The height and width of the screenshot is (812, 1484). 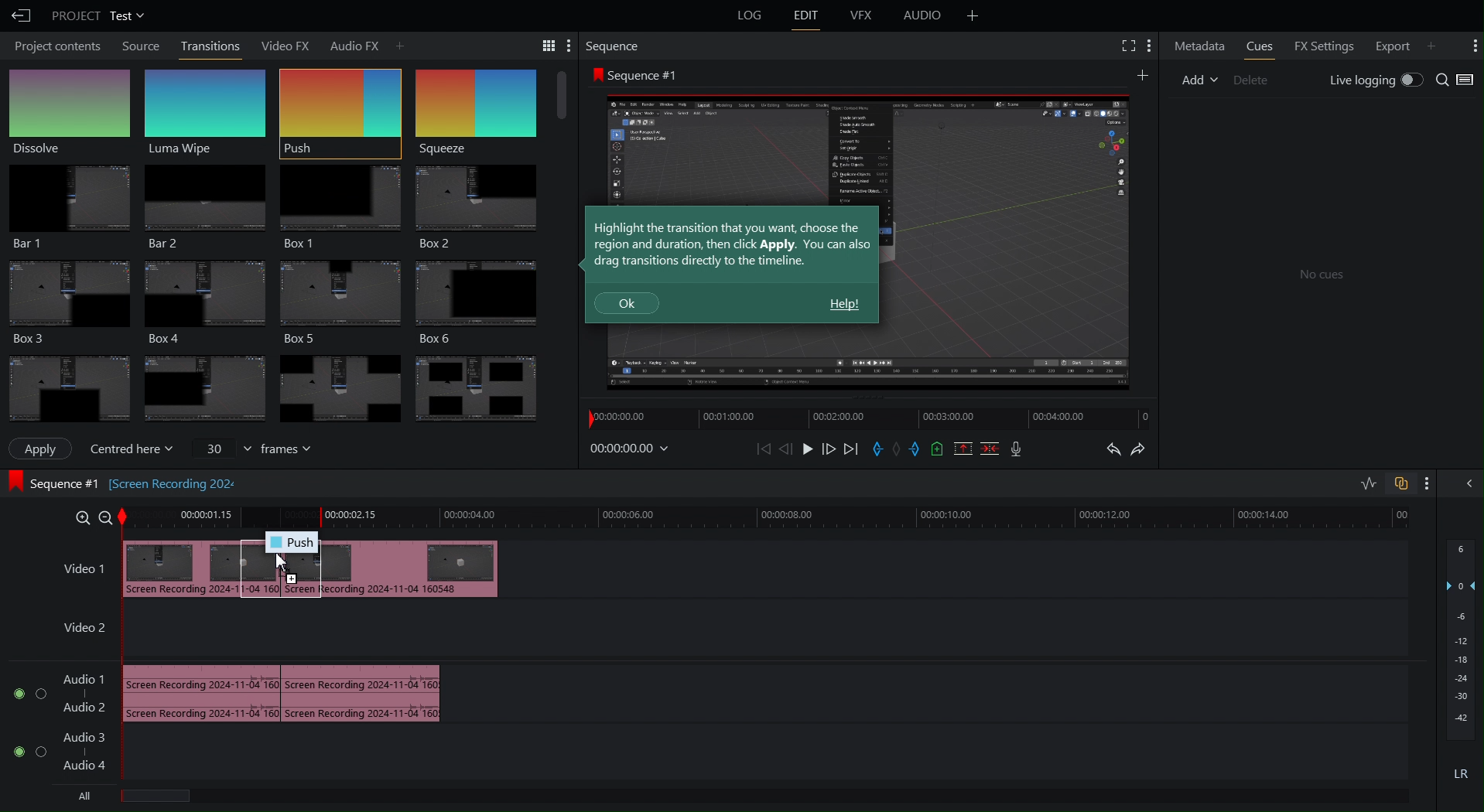 I want to click on Remove Selected Part, so click(x=962, y=448).